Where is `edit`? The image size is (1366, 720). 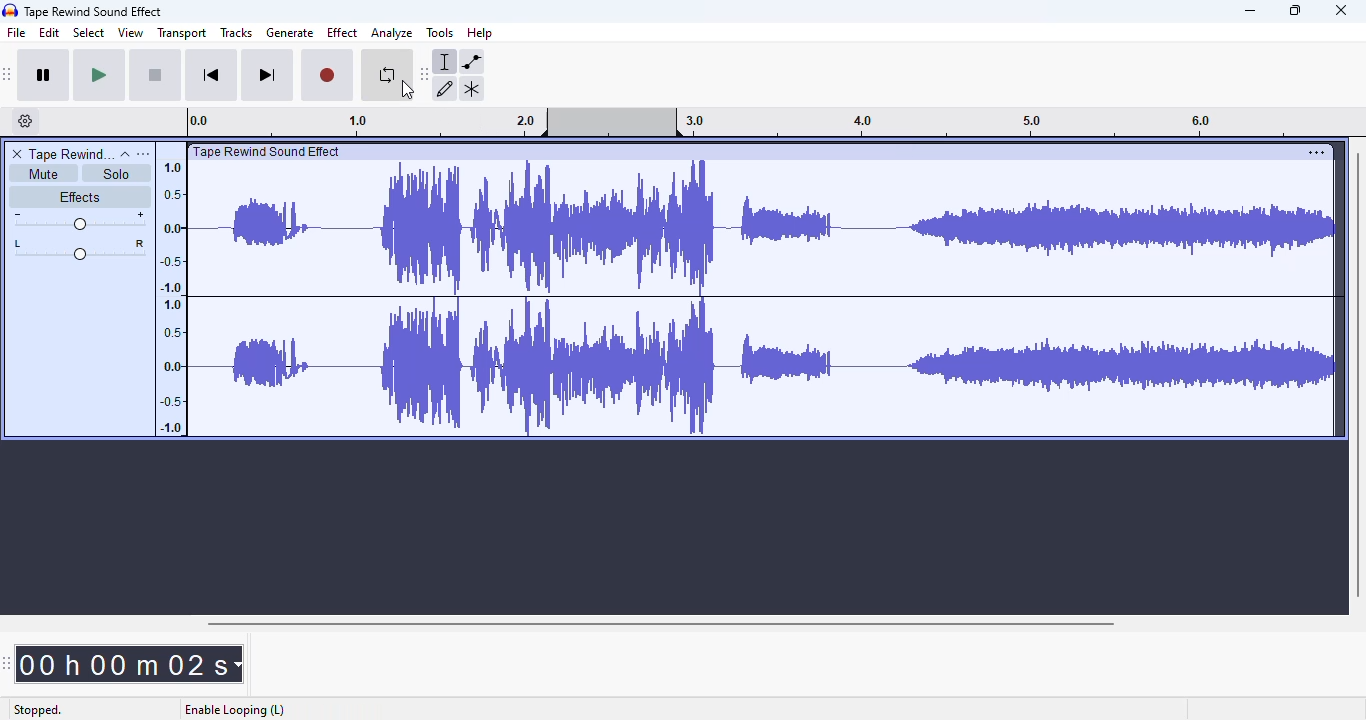
edit is located at coordinates (50, 33).